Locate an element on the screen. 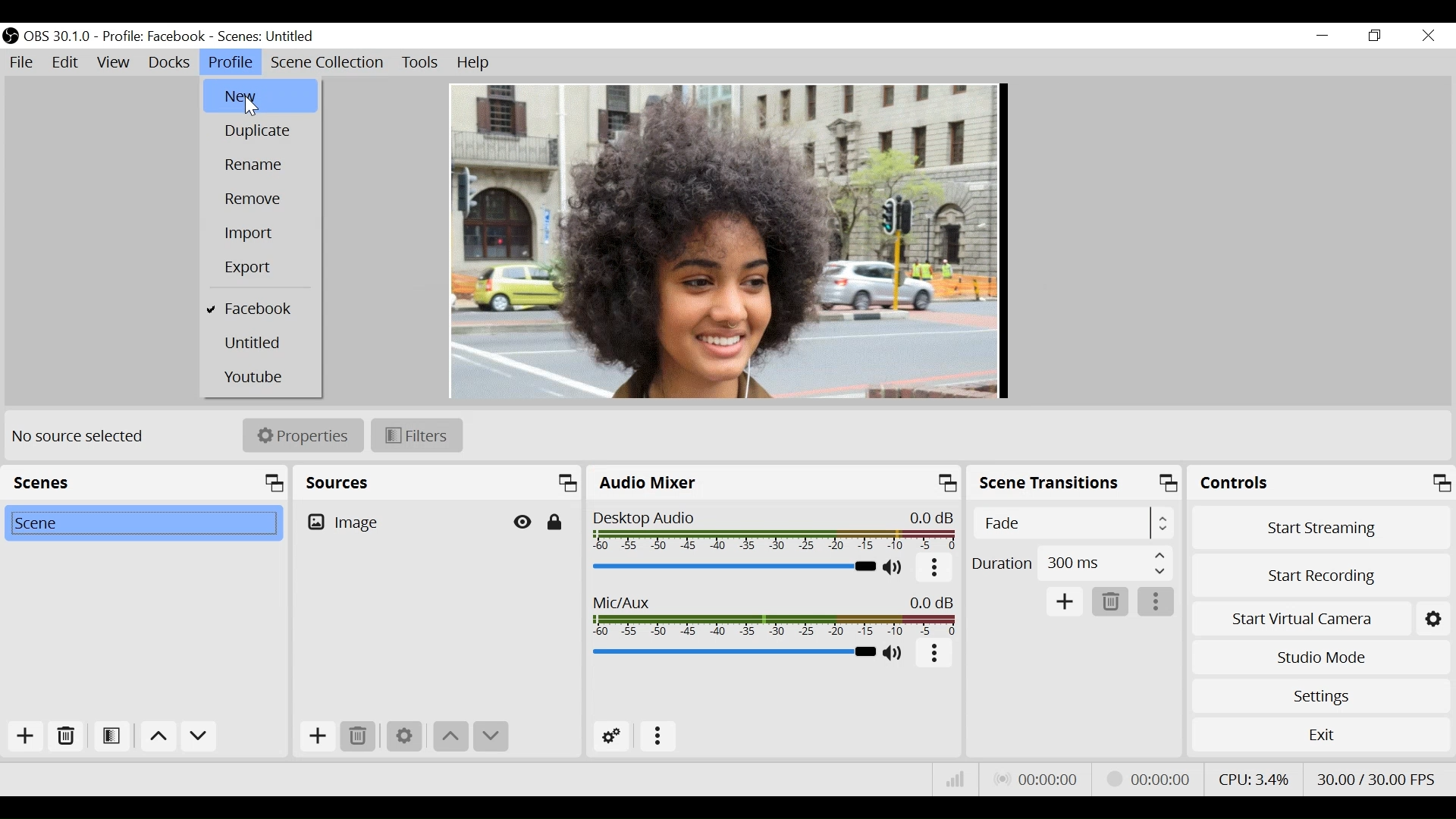 Image resolution: width=1456 pixels, height=819 pixels. Mic/Aux is located at coordinates (733, 651).